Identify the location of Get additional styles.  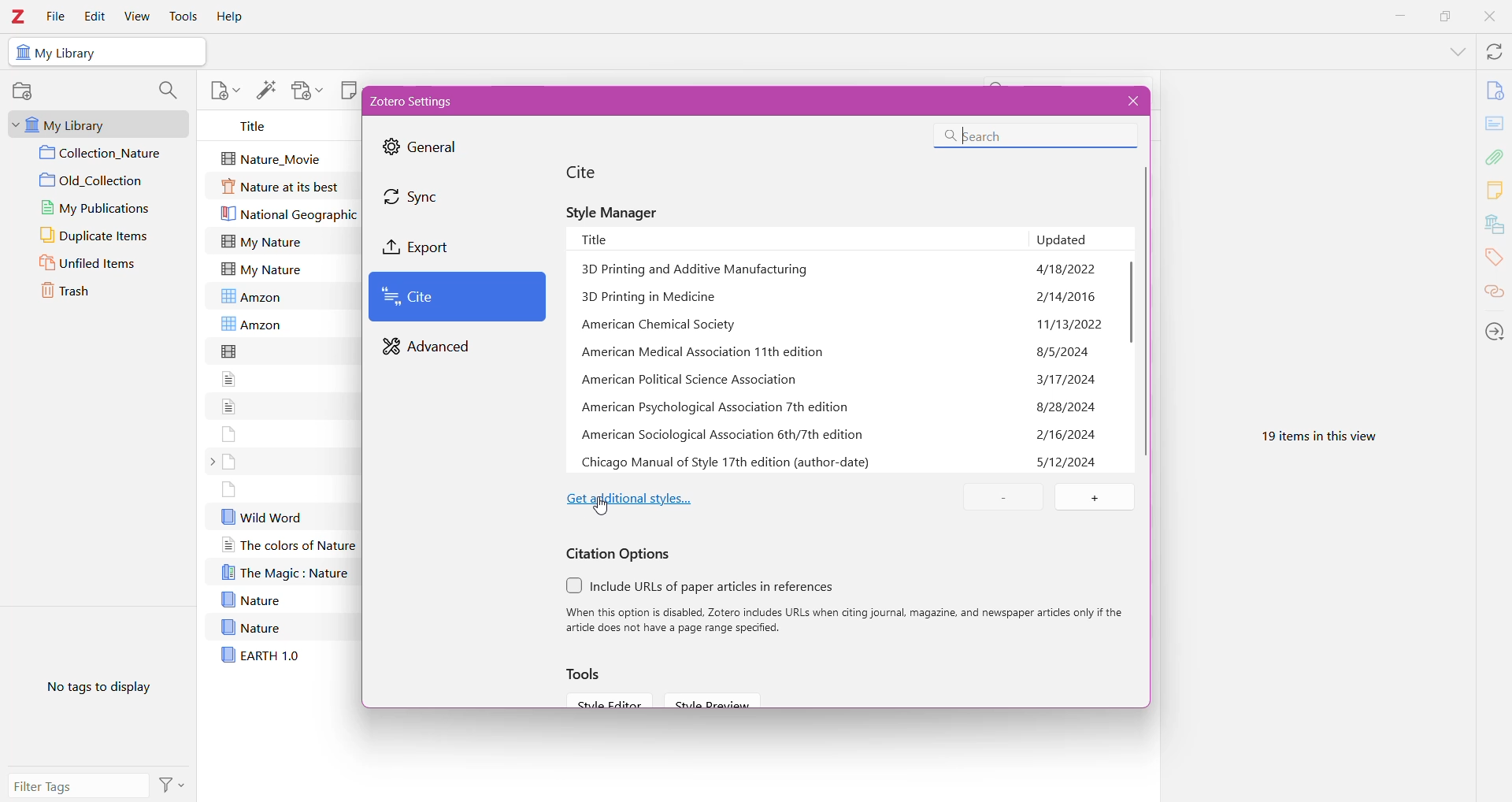
(631, 496).